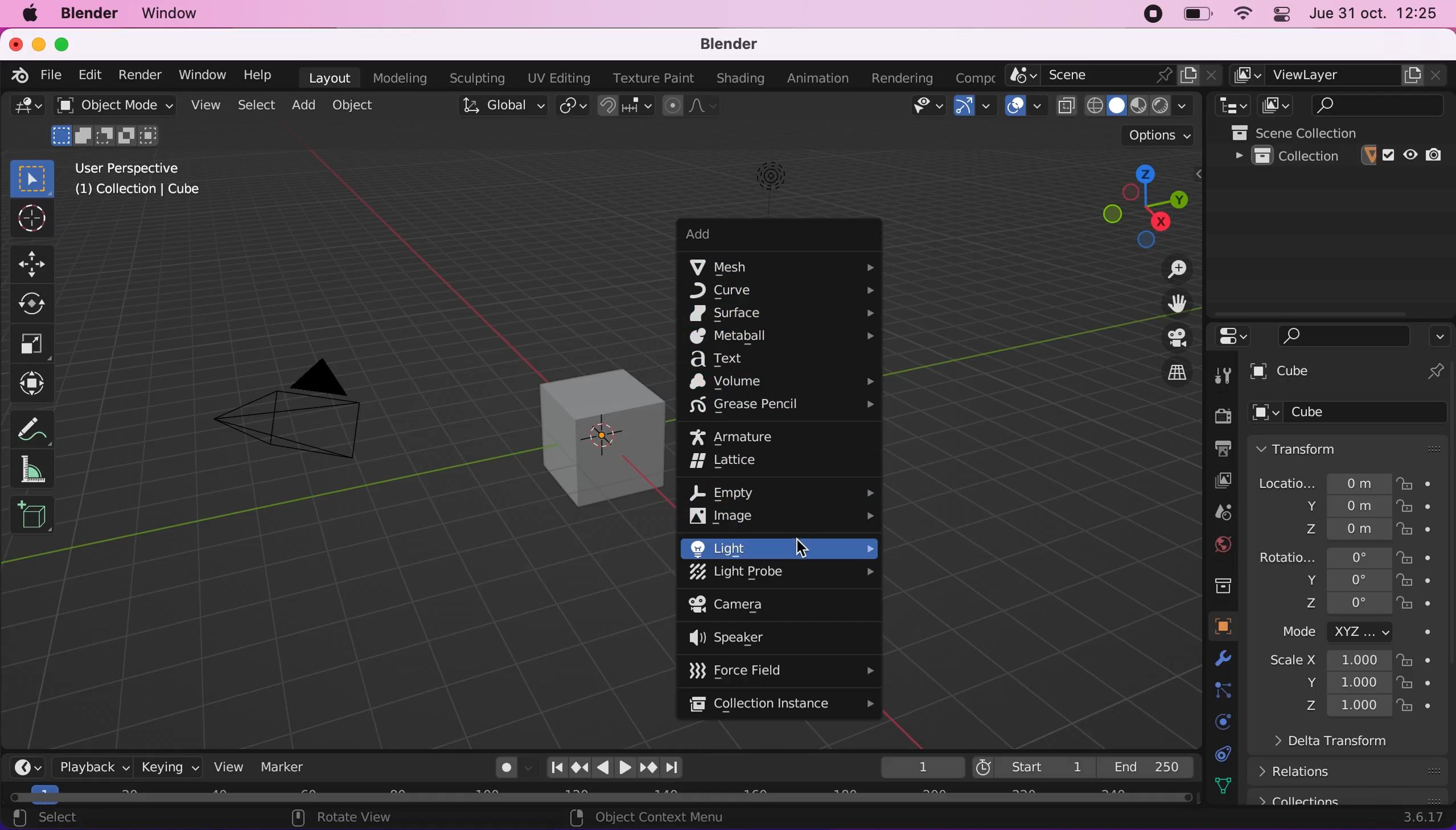 Image resolution: width=1456 pixels, height=830 pixels. Describe the element at coordinates (35, 263) in the screenshot. I see `move` at that location.